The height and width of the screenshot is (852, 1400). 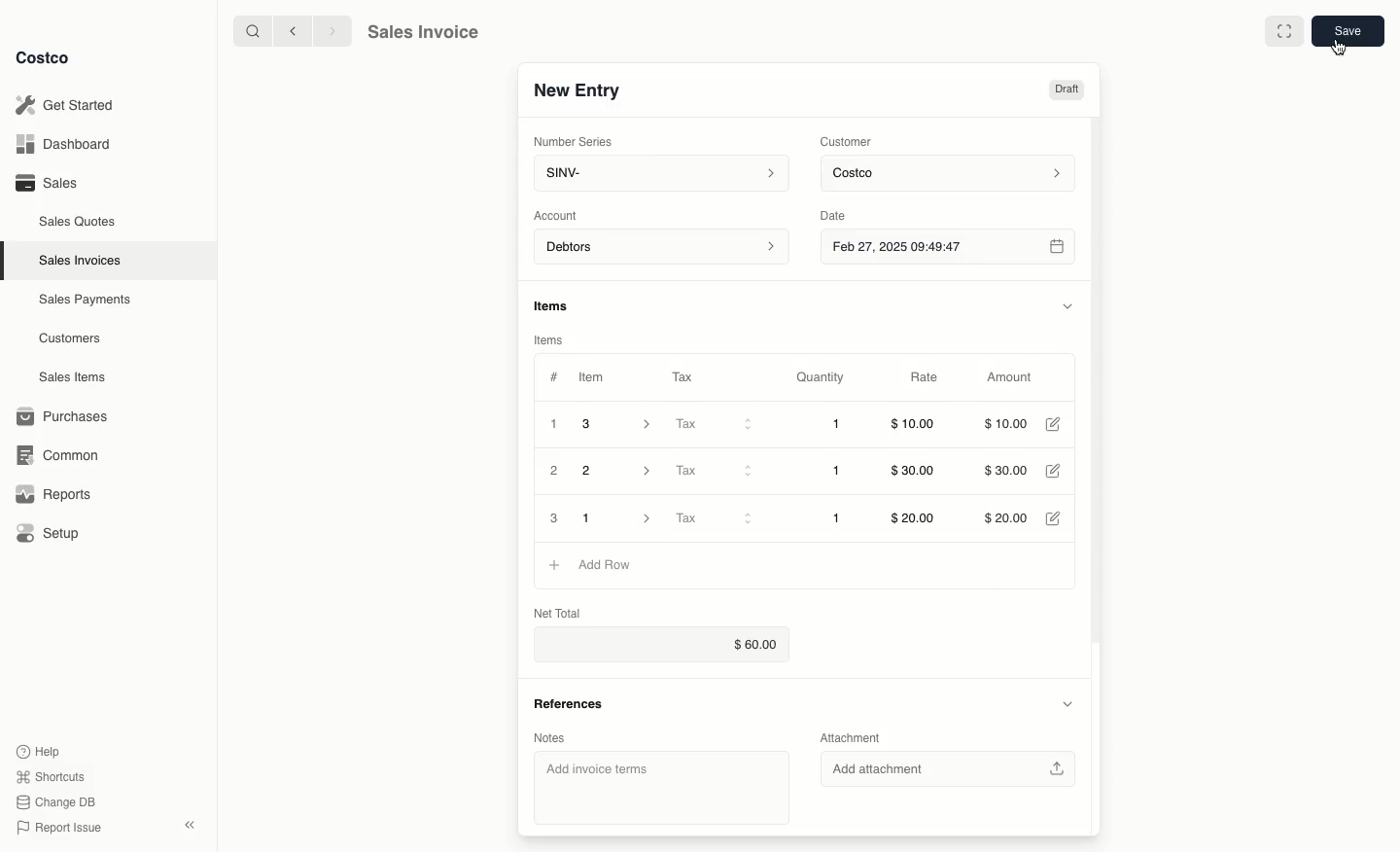 What do you see at coordinates (554, 424) in the screenshot?
I see `1` at bounding box center [554, 424].